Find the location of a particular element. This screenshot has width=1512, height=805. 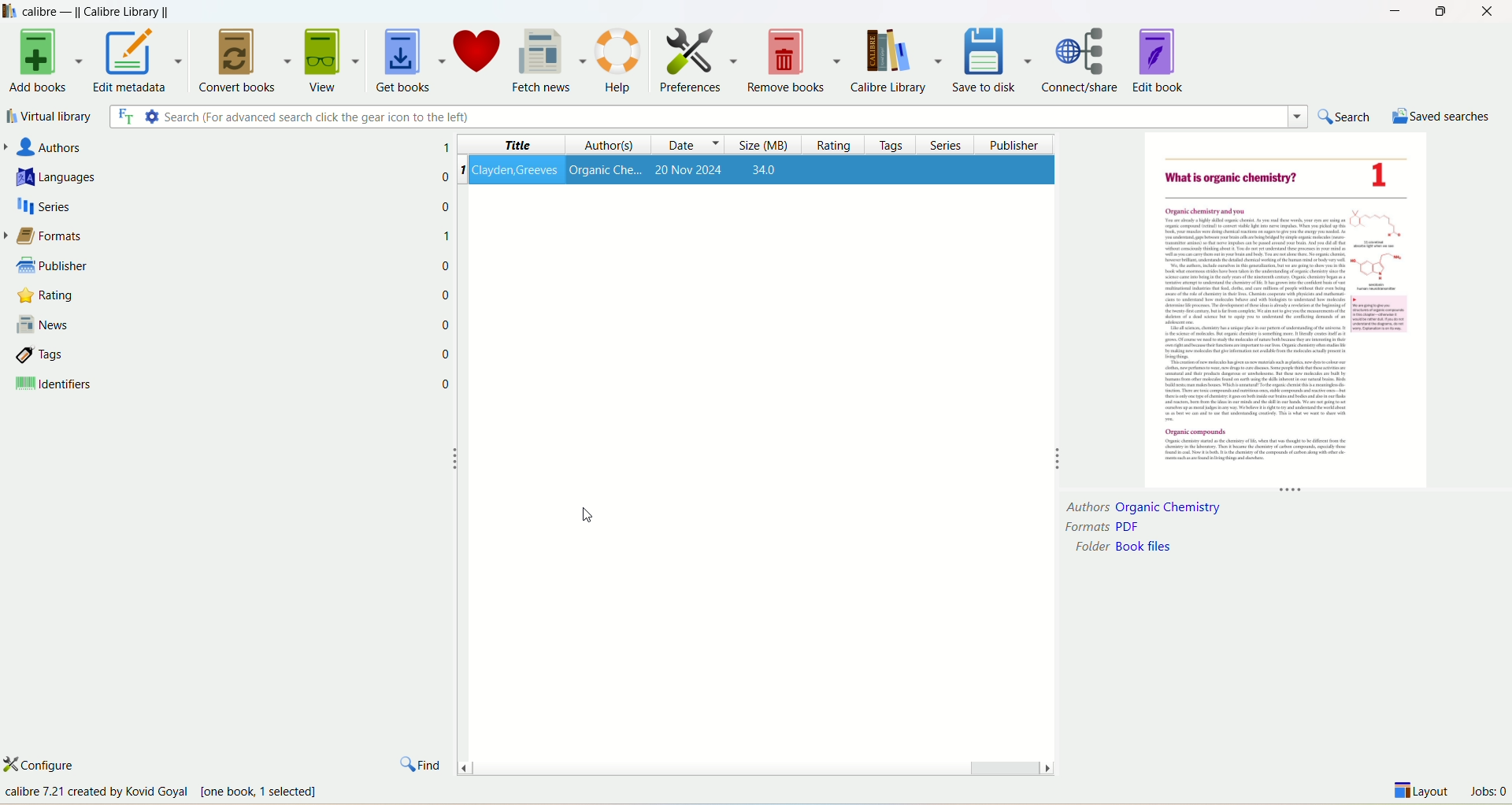

saved searches is located at coordinates (1442, 115).